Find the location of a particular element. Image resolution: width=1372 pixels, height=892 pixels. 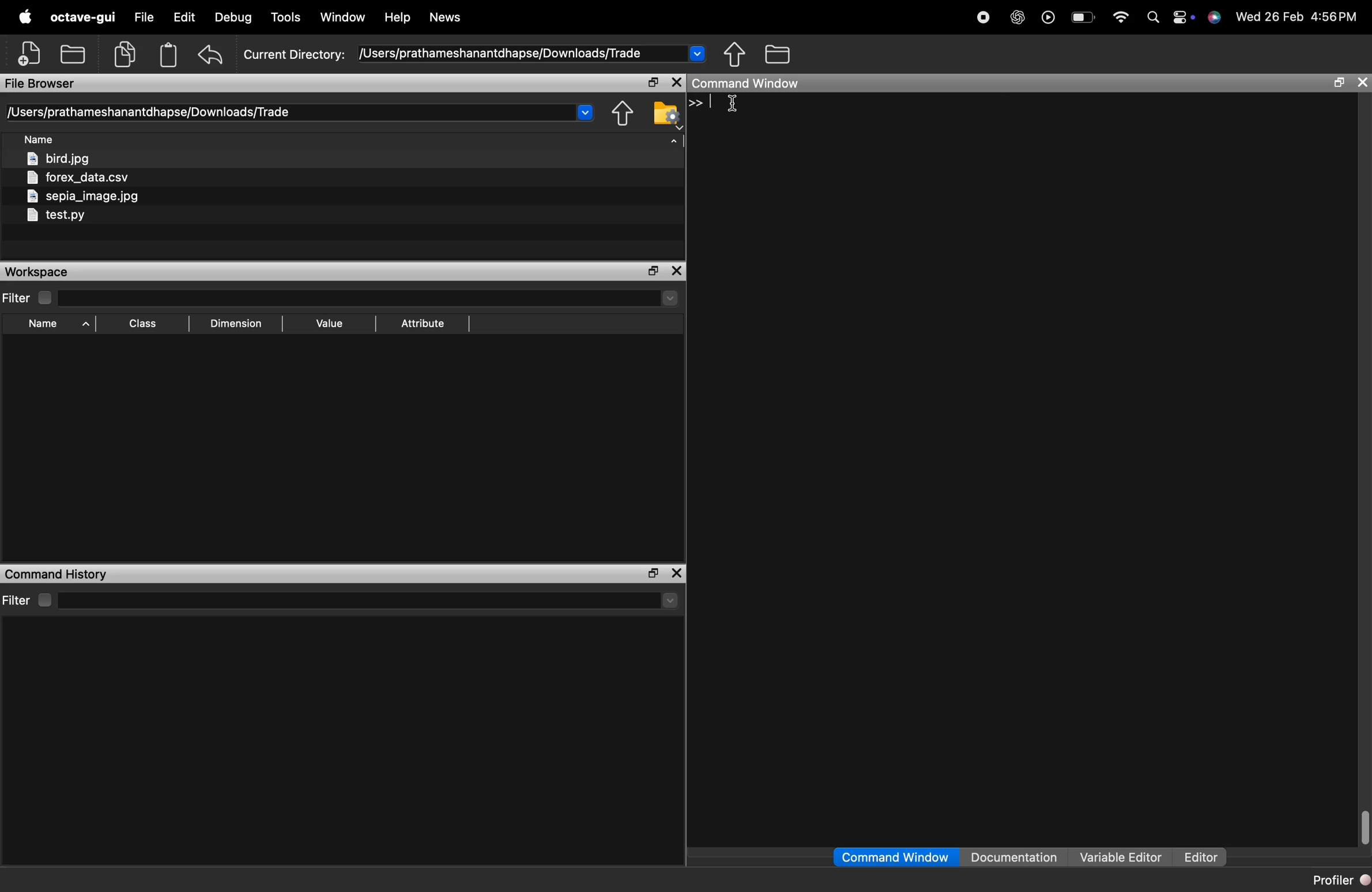

File Browser is located at coordinates (40, 84).